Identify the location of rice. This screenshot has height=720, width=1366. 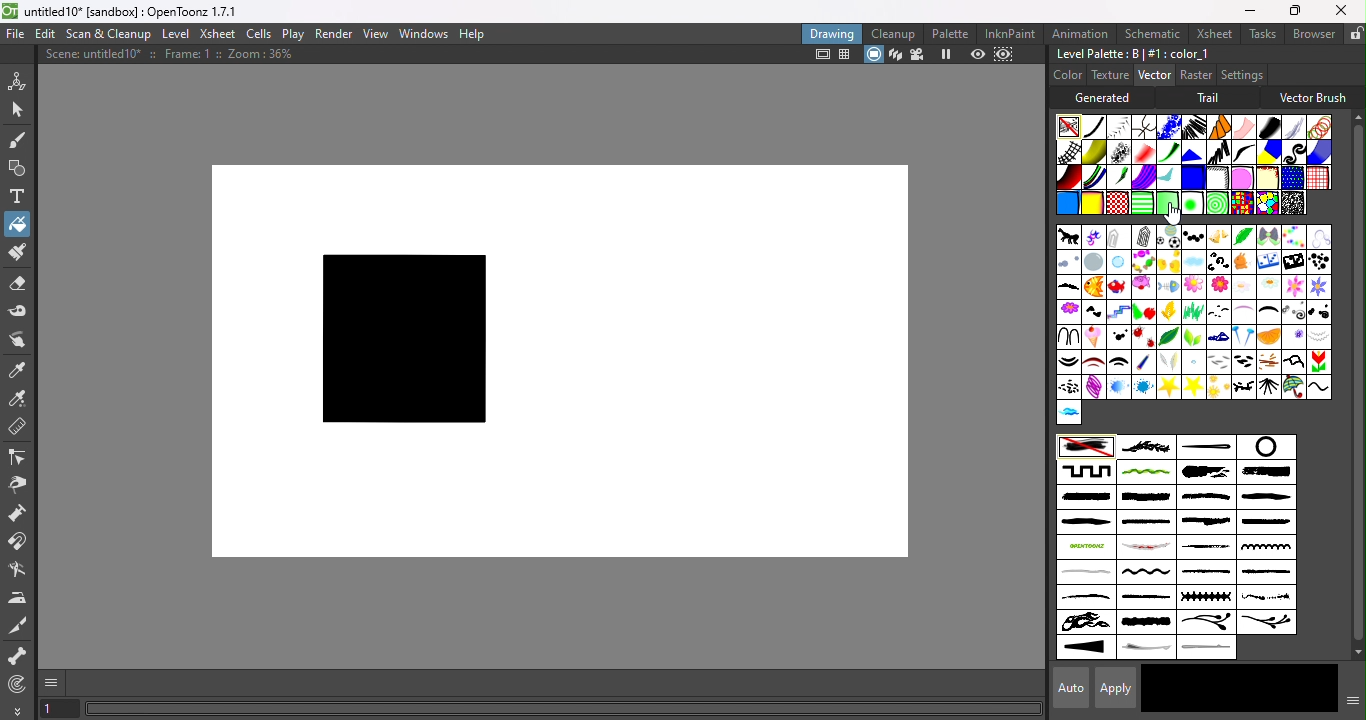
(1220, 362).